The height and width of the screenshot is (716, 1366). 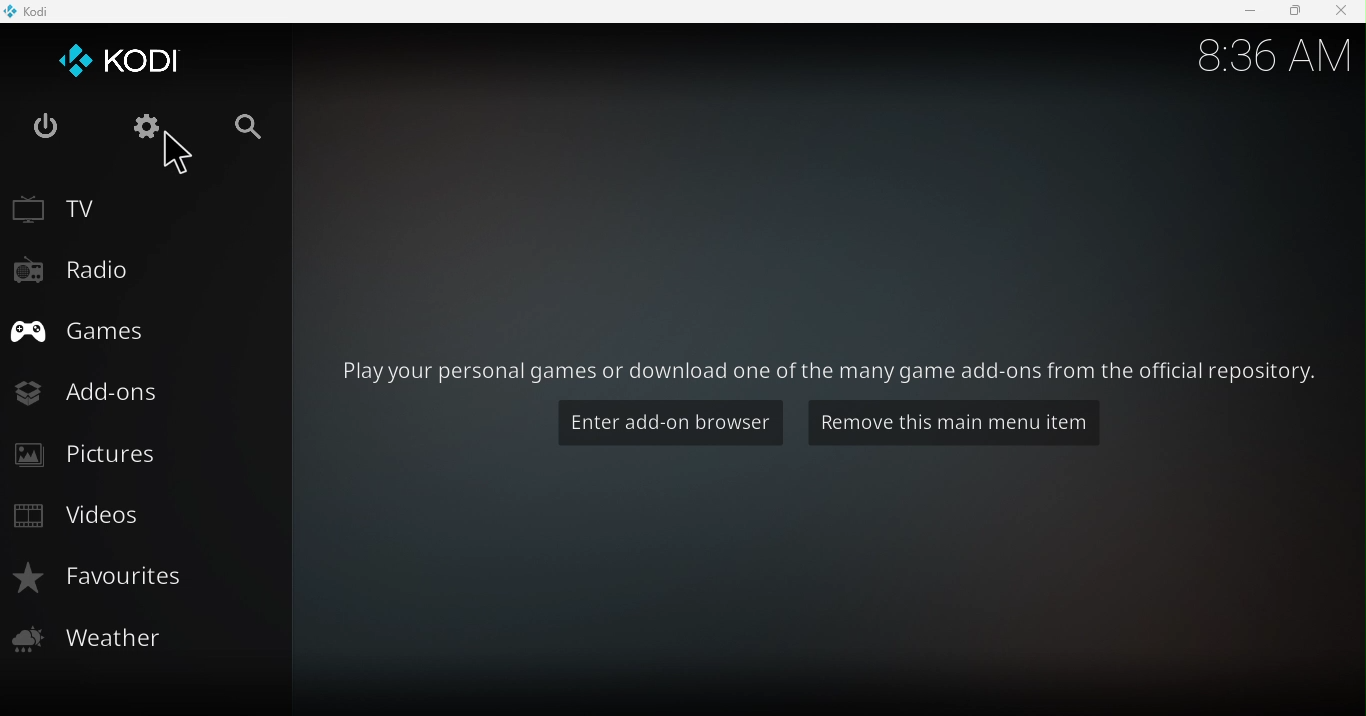 I want to click on Games, so click(x=133, y=328).